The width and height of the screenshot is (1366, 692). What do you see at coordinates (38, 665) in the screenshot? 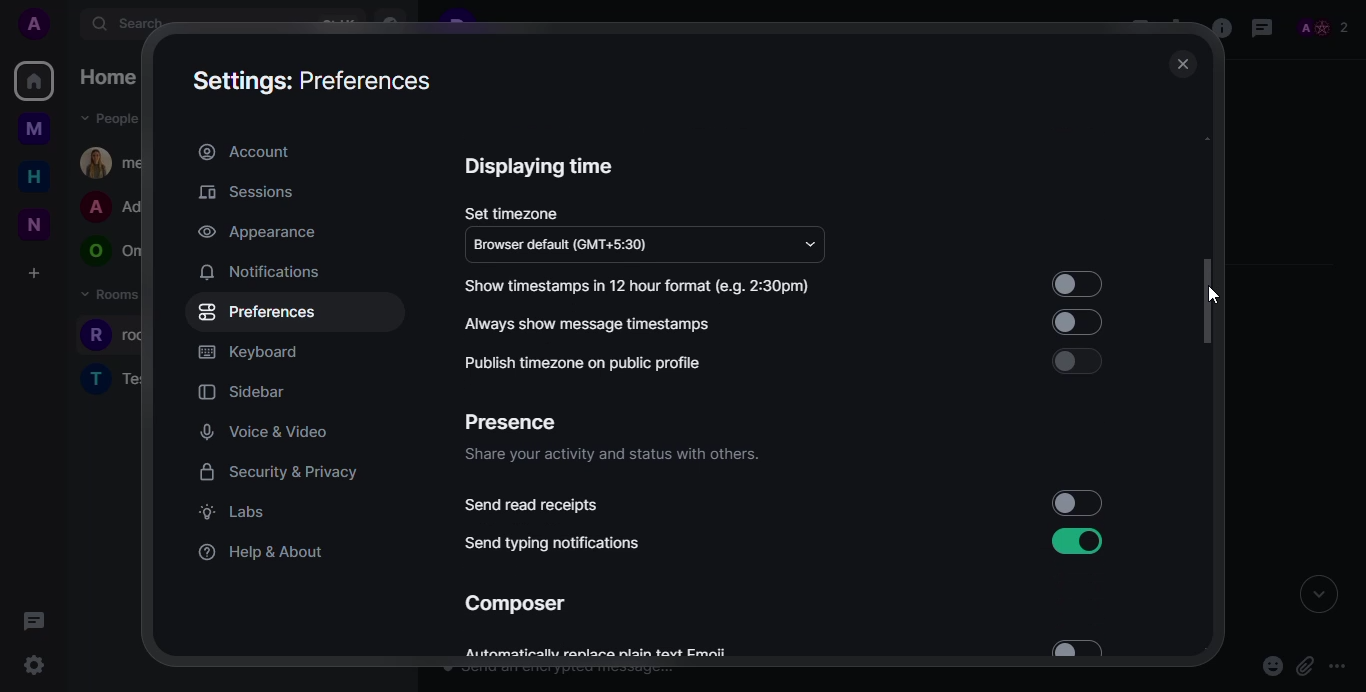
I see `Settings` at bounding box center [38, 665].